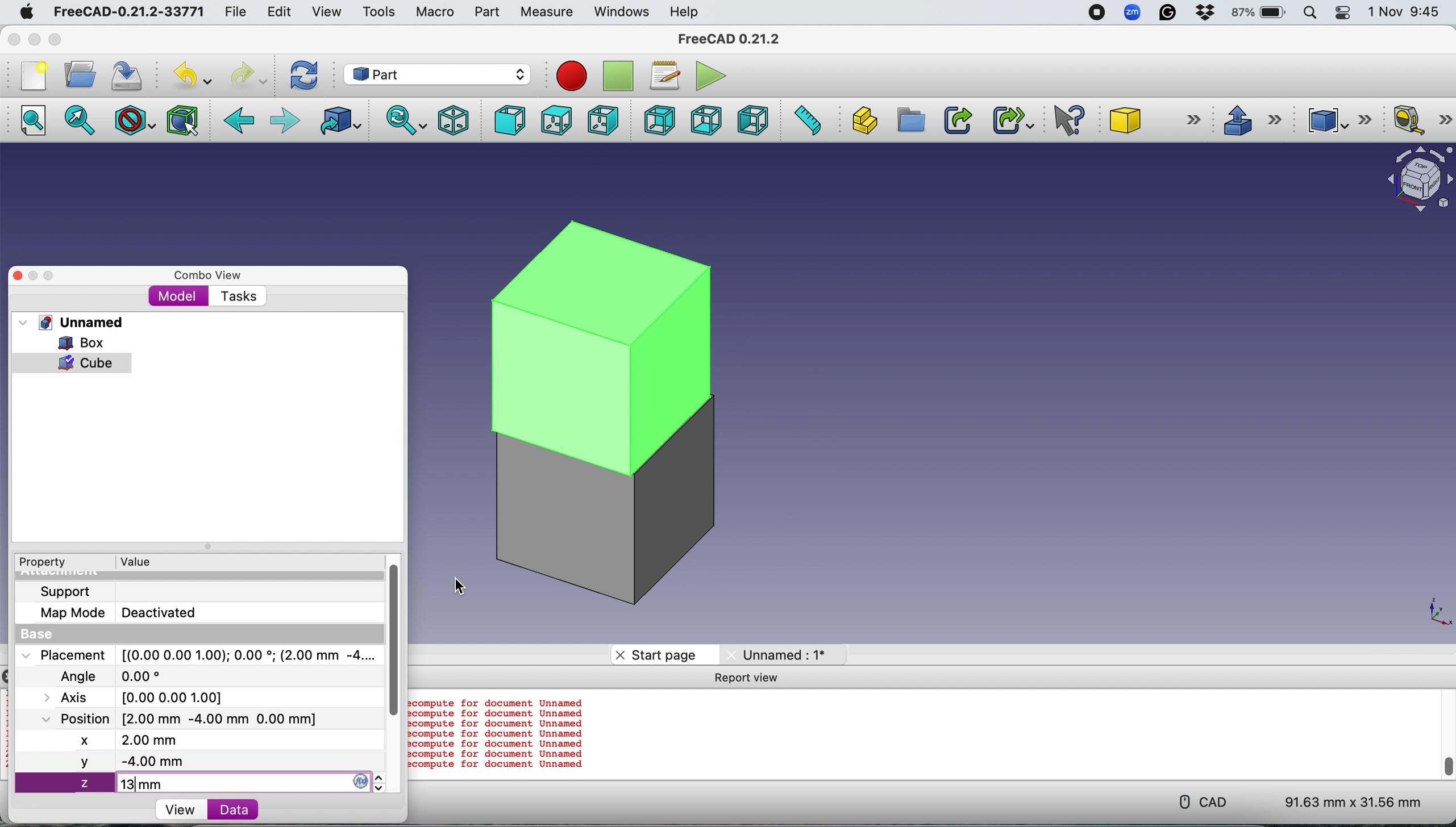 The height and width of the screenshot is (827, 1456). Describe the element at coordinates (343, 121) in the screenshot. I see `Go to linked object` at that location.